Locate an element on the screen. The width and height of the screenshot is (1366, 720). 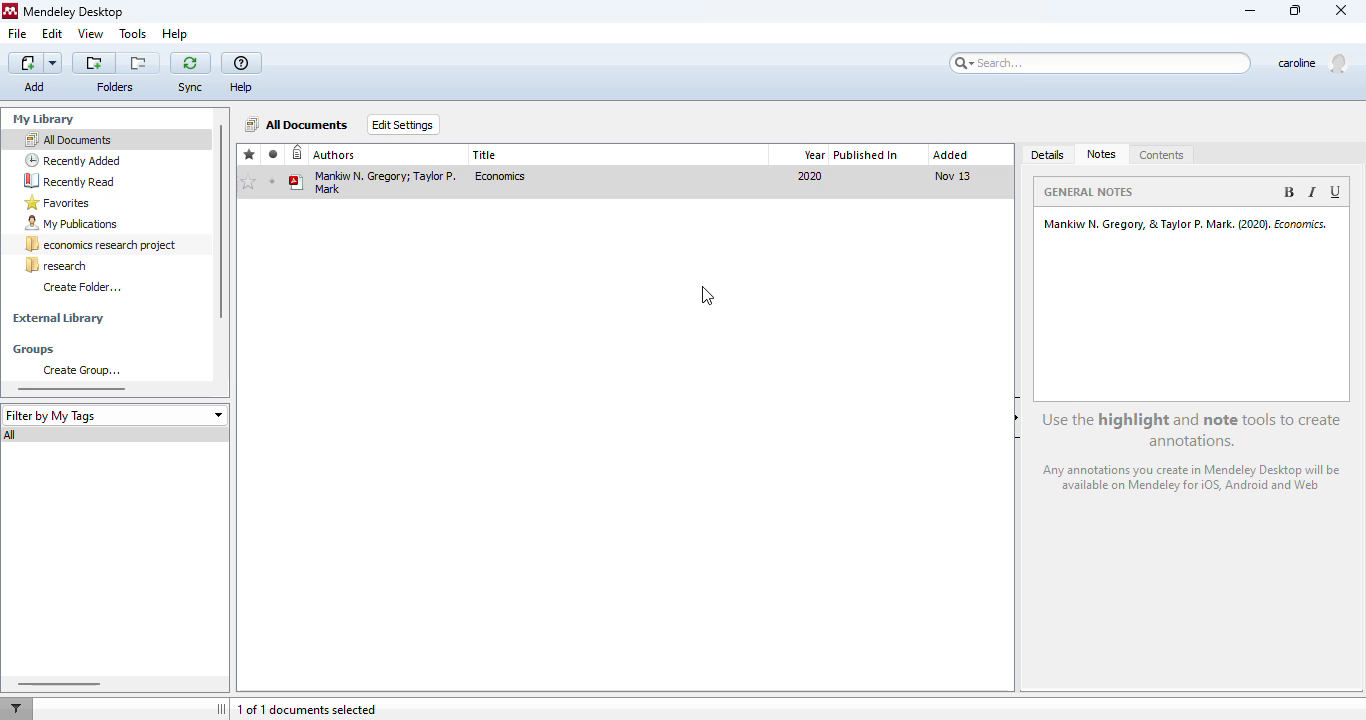
read/unread is located at coordinates (274, 154).